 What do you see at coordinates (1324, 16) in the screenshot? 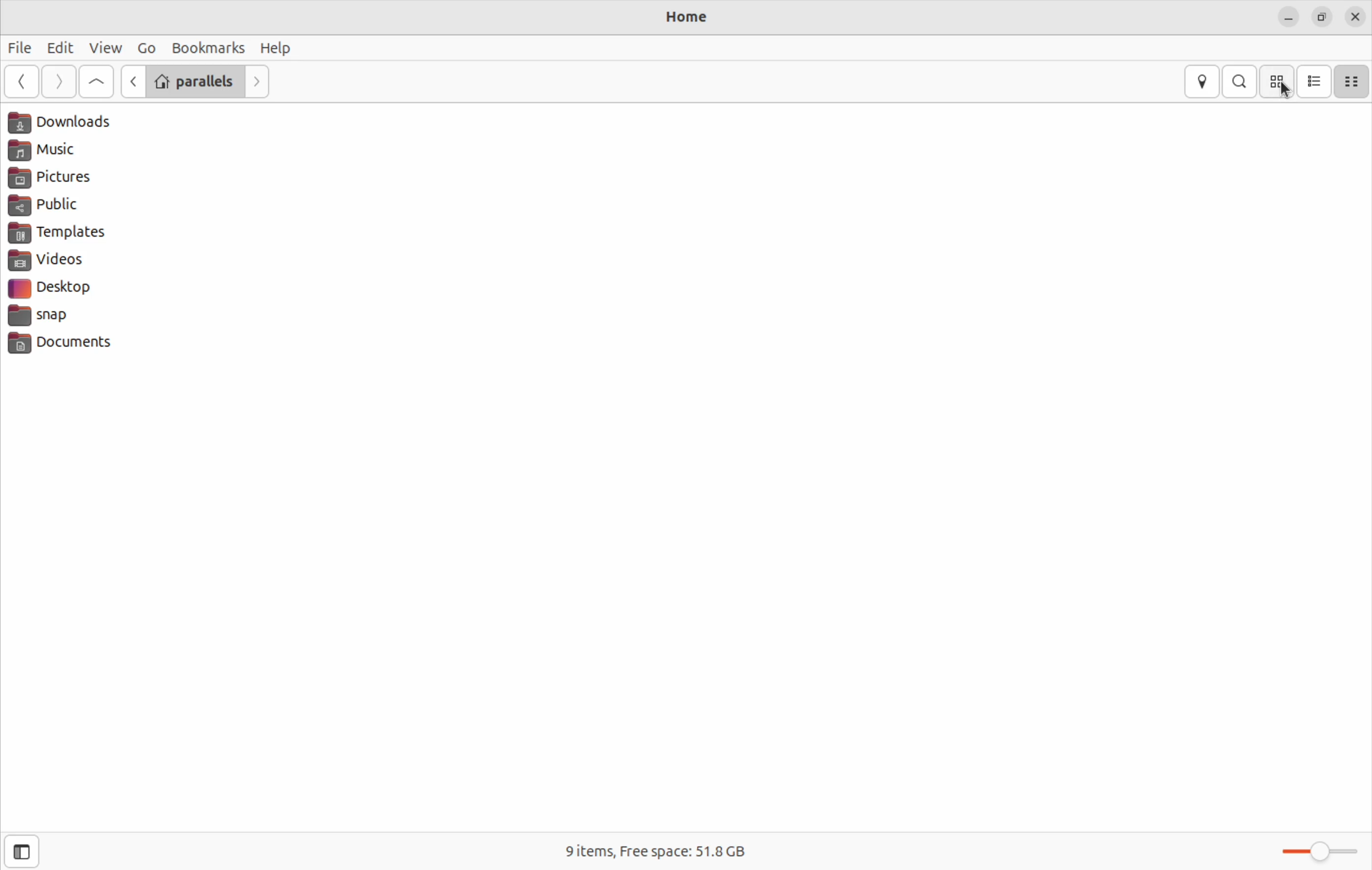
I see `resize` at bounding box center [1324, 16].